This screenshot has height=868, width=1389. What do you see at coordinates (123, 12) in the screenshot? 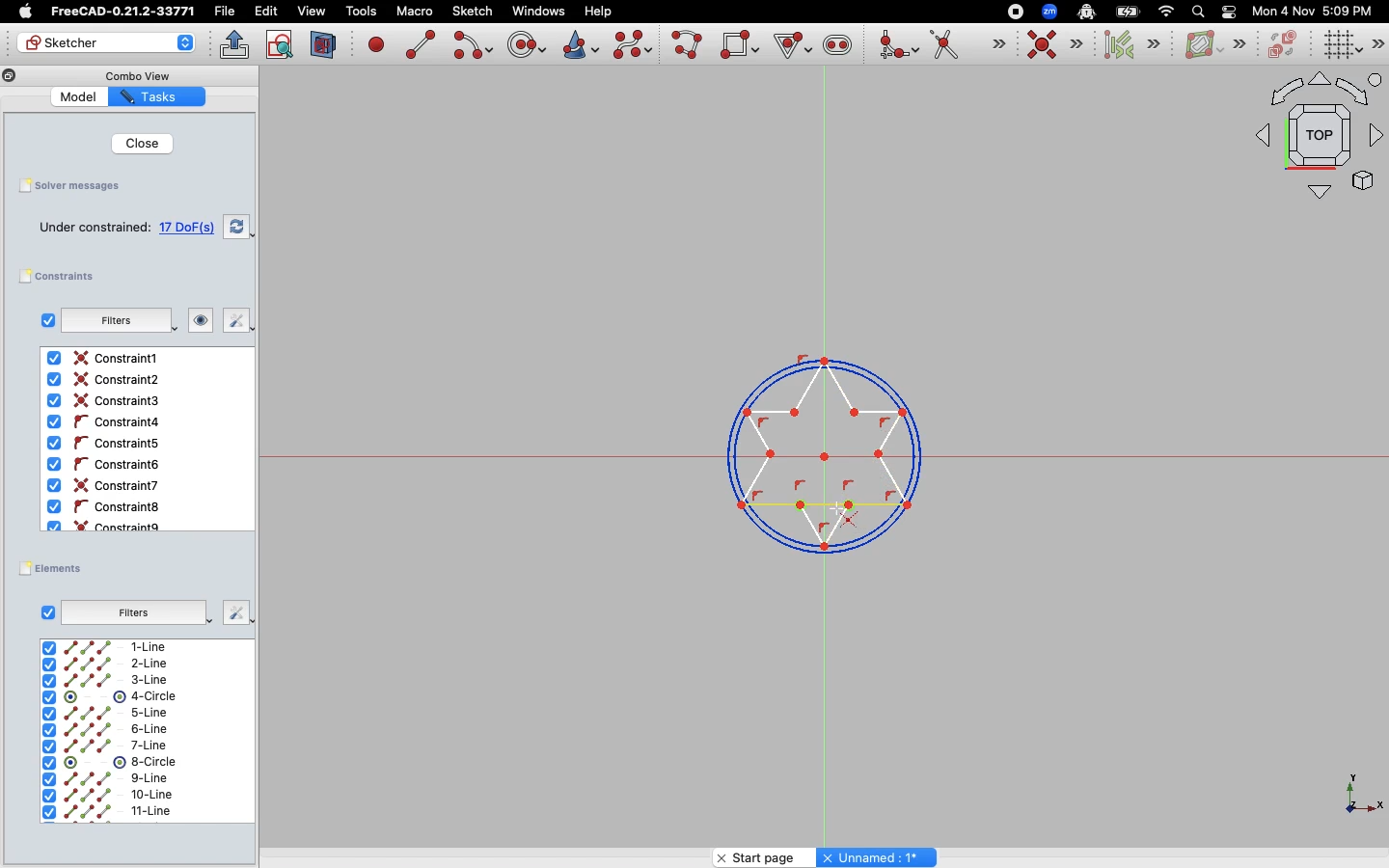
I see `FreeCAD-0.21.2-33771` at bounding box center [123, 12].